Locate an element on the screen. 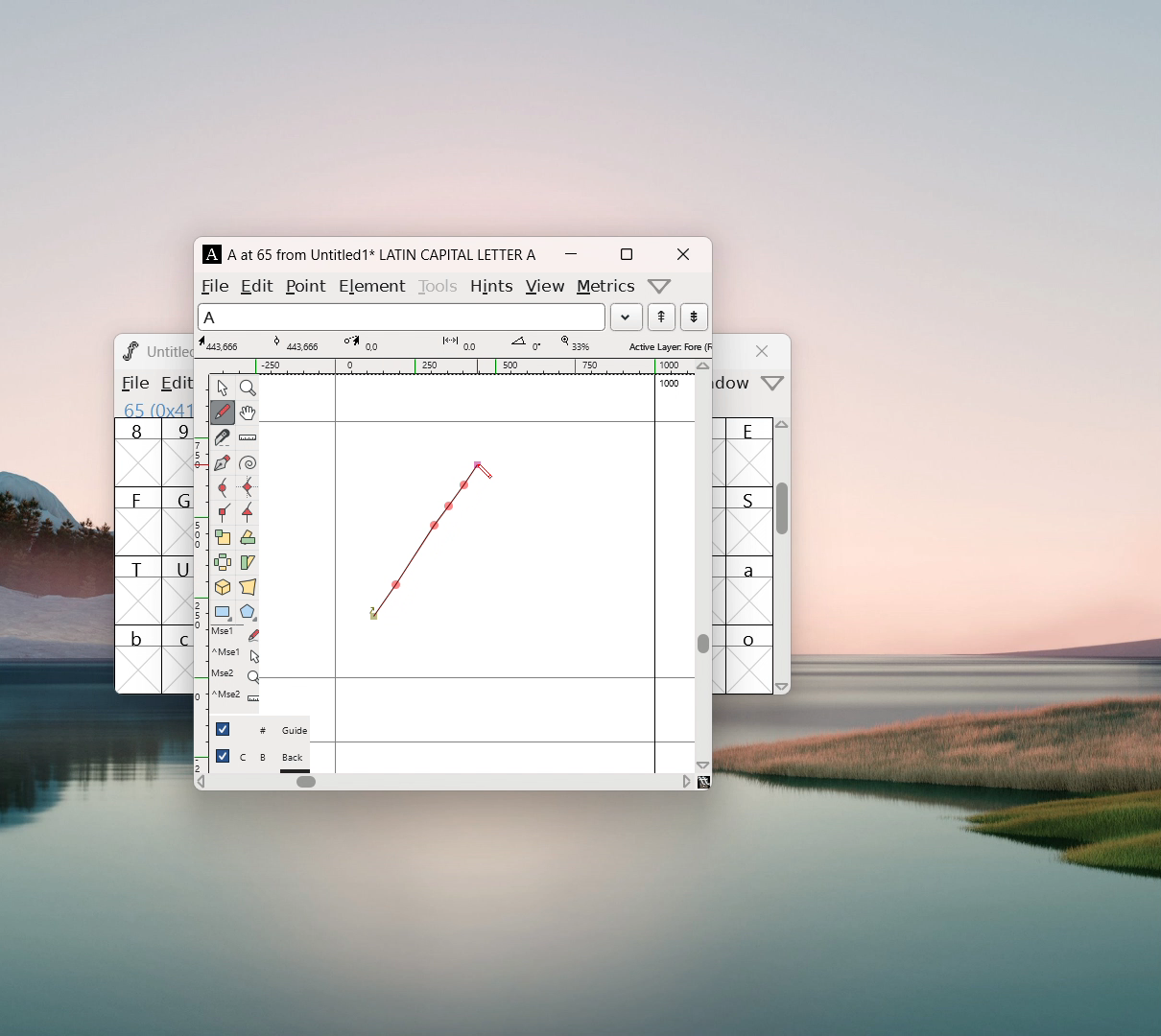 This screenshot has width=1161, height=1036. U is located at coordinates (178, 590).